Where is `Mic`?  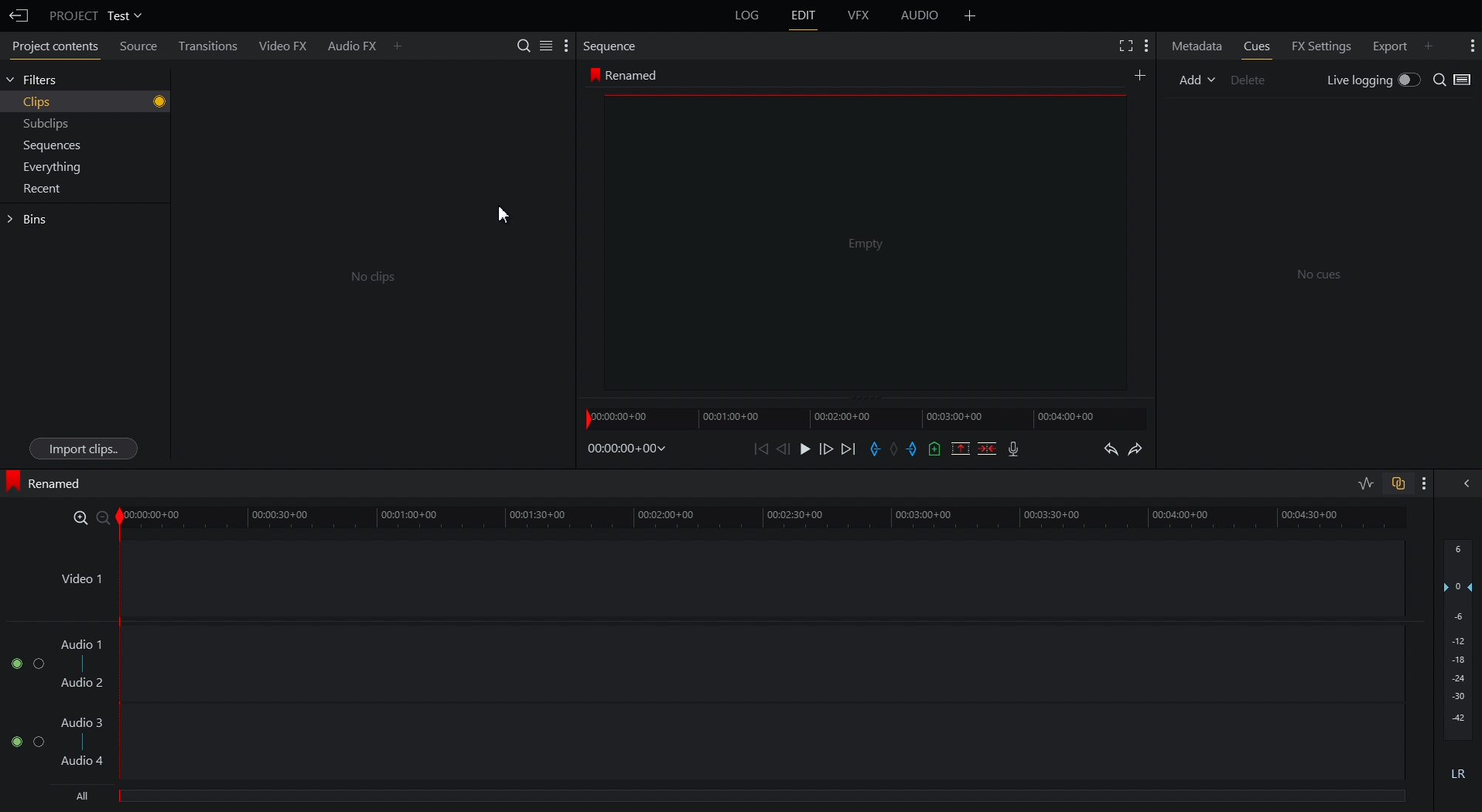 Mic is located at coordinates (1012, 448).